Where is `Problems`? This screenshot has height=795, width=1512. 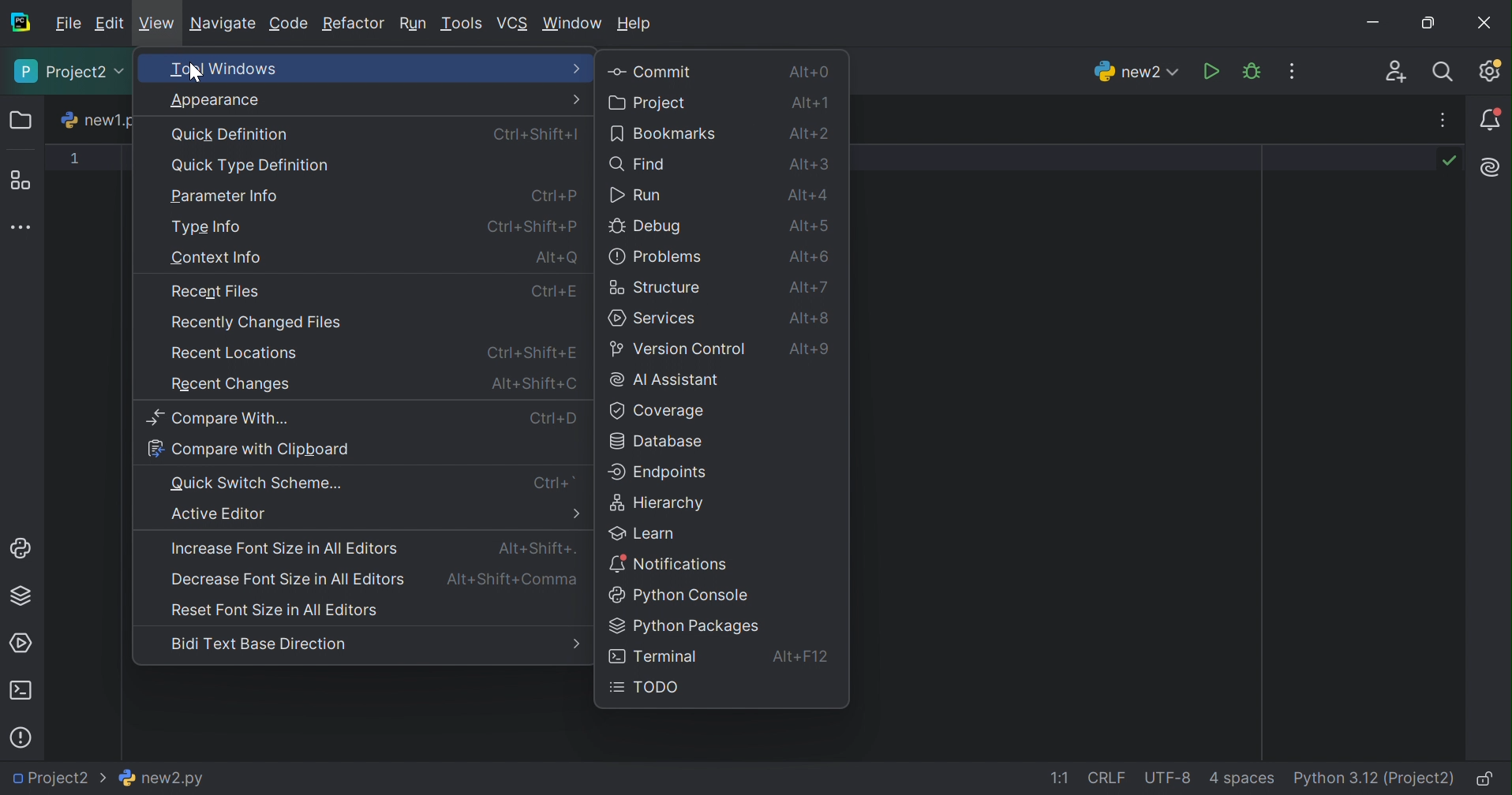
Problems is located at coordinates (23, 737).